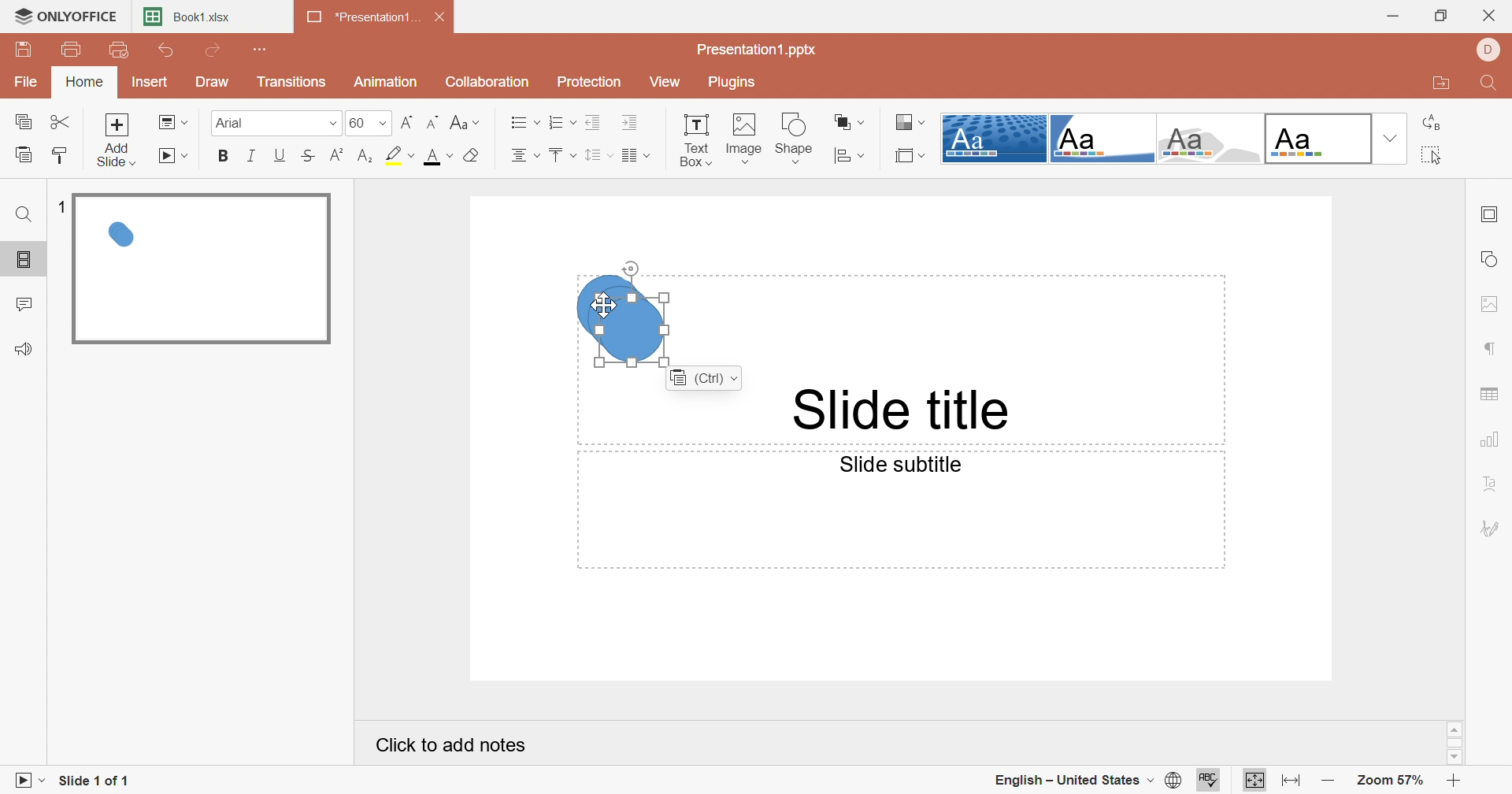  I want to click on Increase indent, so click(632, 123).